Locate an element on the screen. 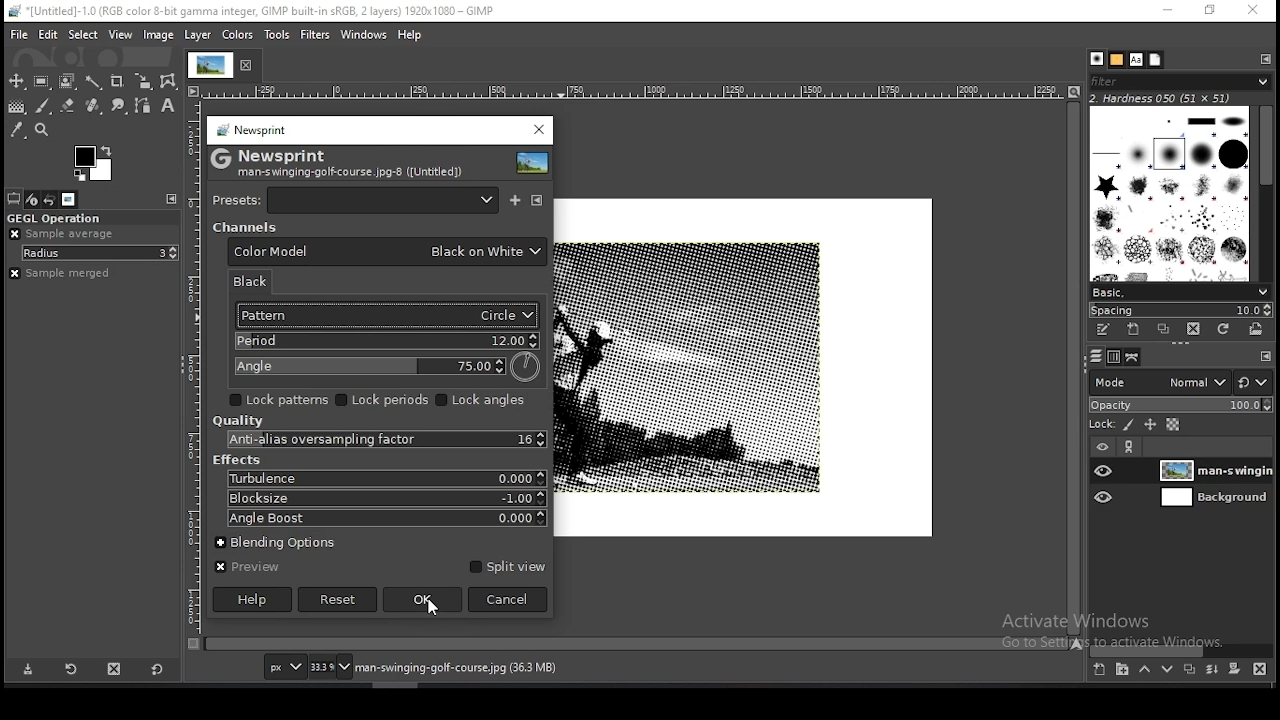  save current as named preset is located at coordinates (516, 198).